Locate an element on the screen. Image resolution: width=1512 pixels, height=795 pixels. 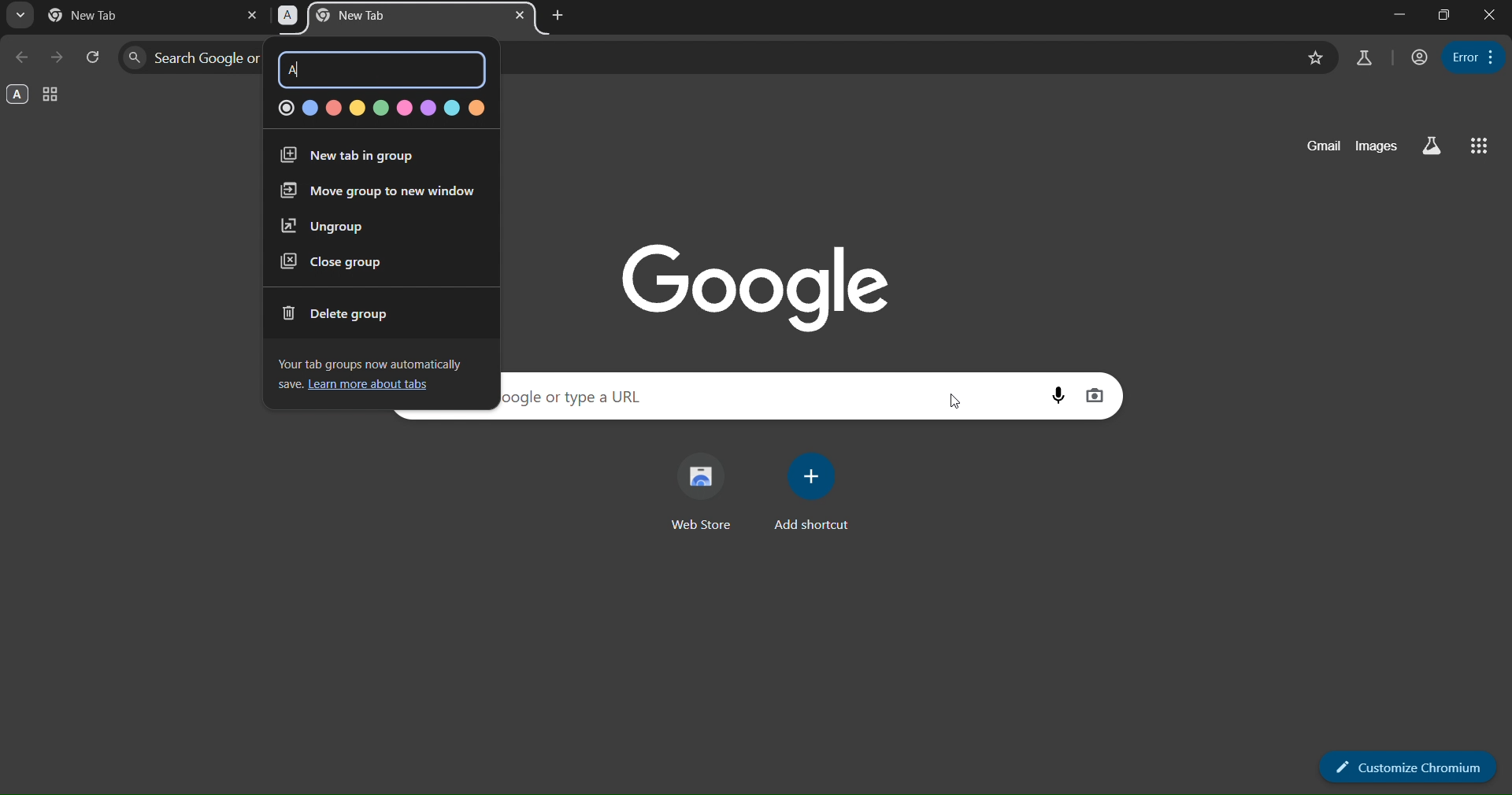
account is located at coordinates (1417, 57).